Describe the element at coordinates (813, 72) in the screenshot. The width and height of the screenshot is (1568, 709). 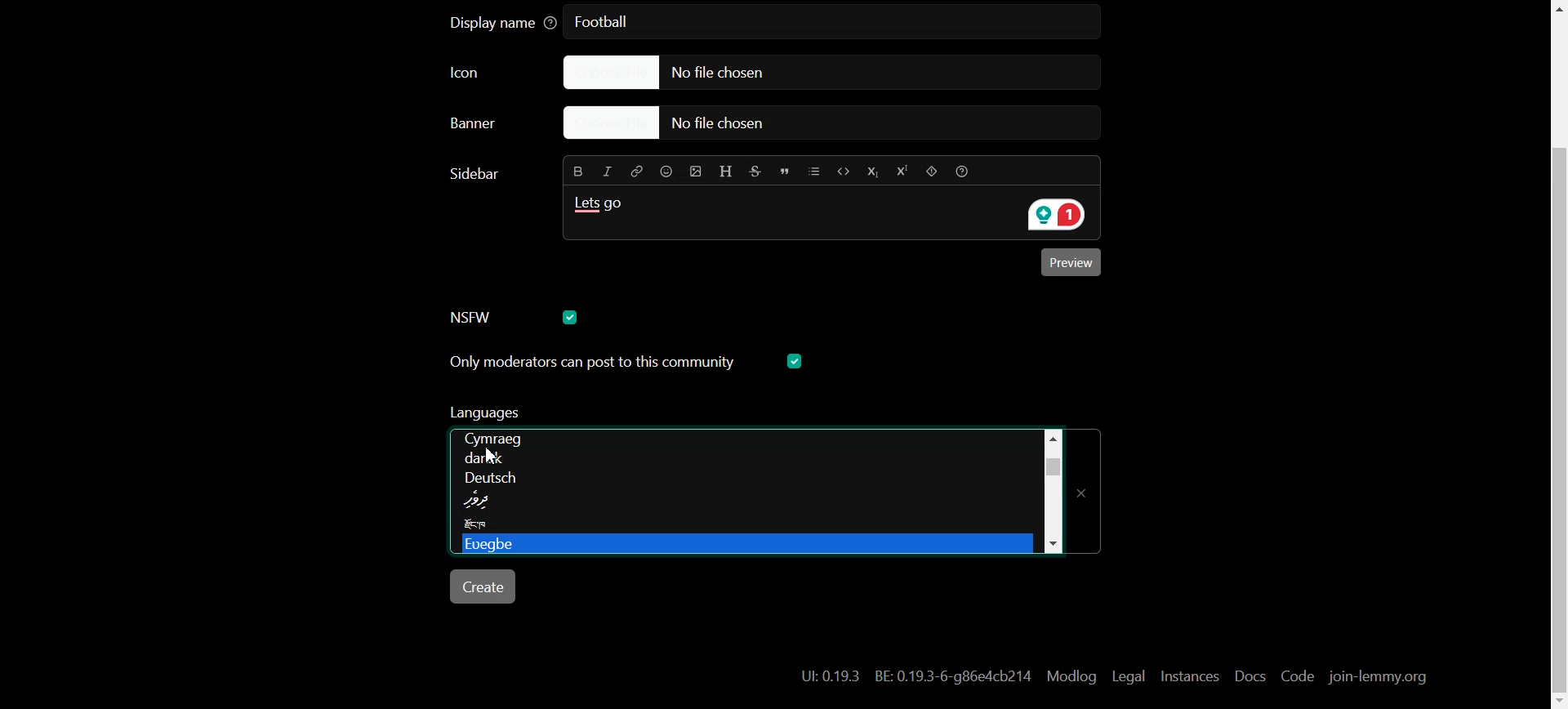
I see `Choose file` at that location.